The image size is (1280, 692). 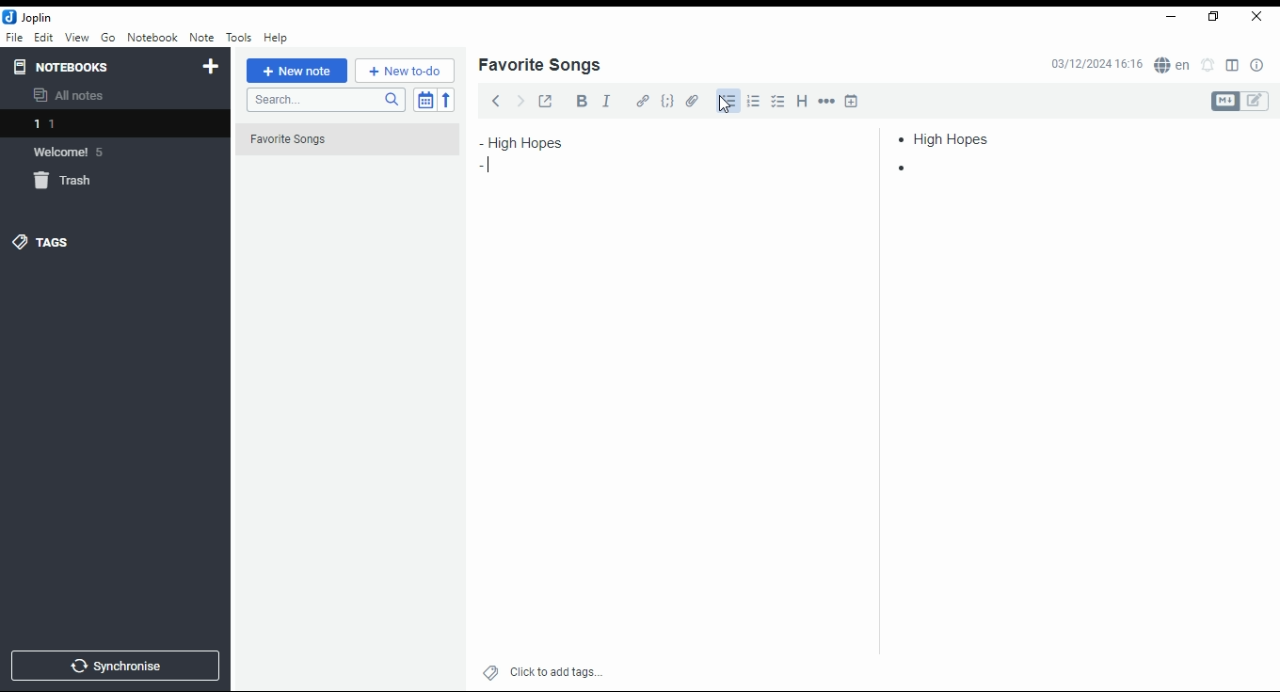 I want to click on set alarm, so click(x=1209, y=65).